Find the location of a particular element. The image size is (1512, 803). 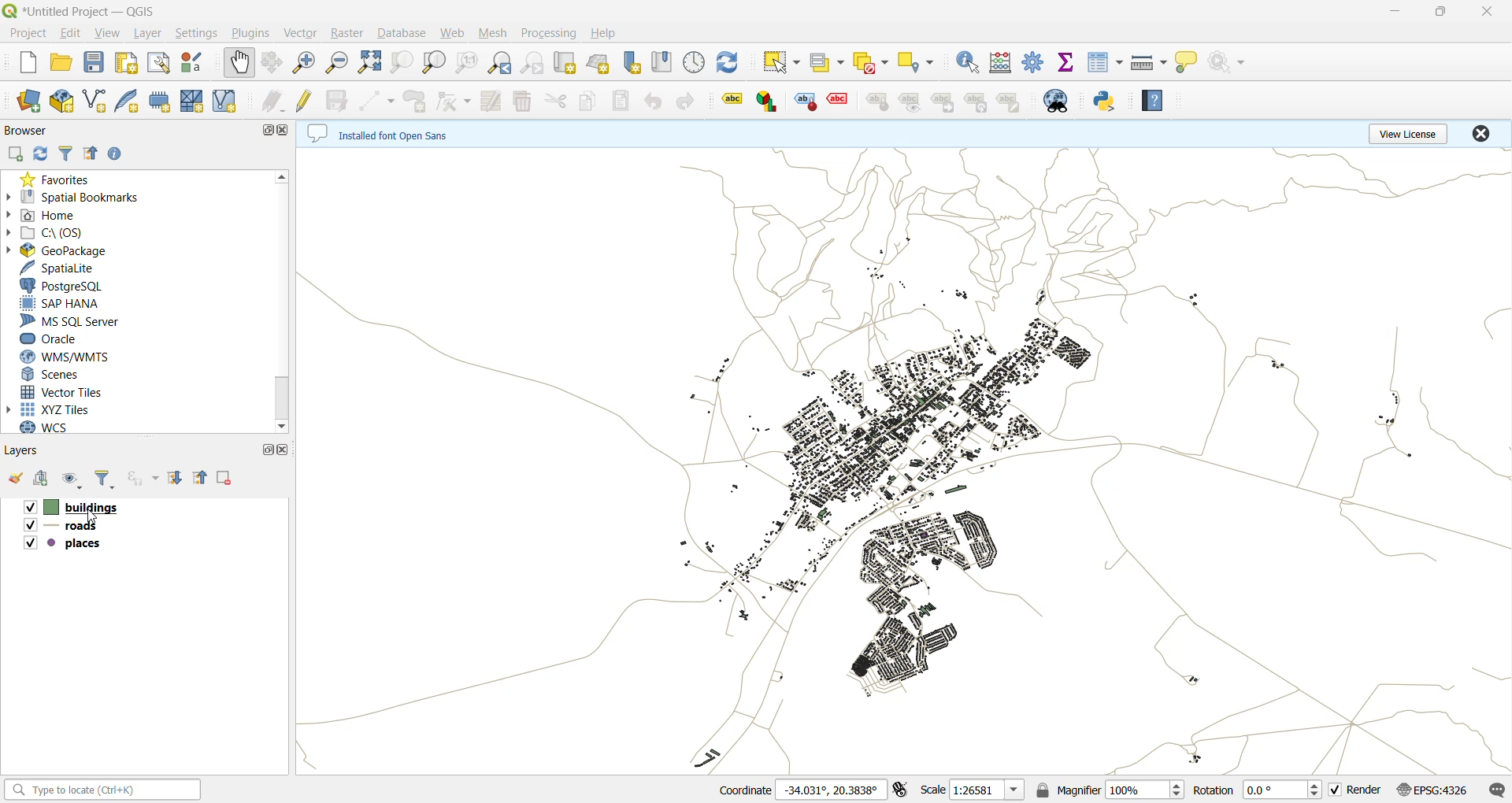

zoom full is located at coordinates (369, 62).